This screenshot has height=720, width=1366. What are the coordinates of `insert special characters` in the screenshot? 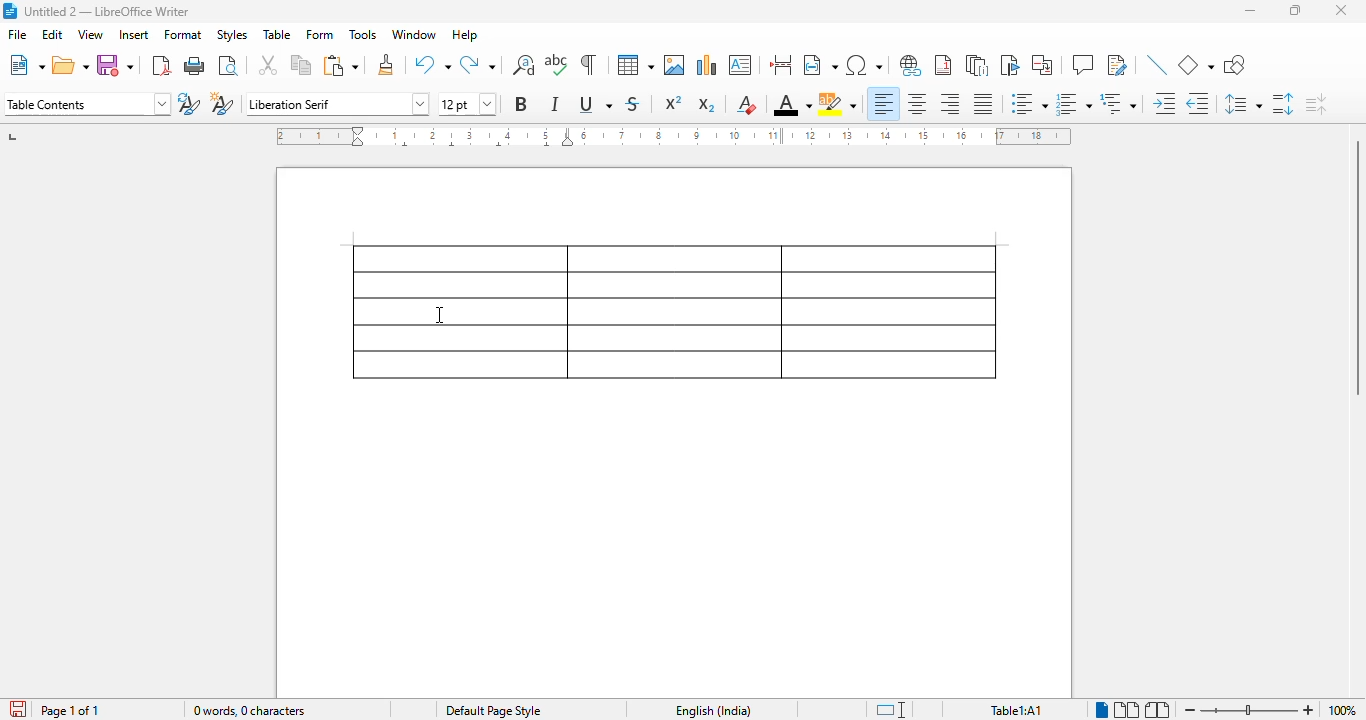 It's located at (864, 65).